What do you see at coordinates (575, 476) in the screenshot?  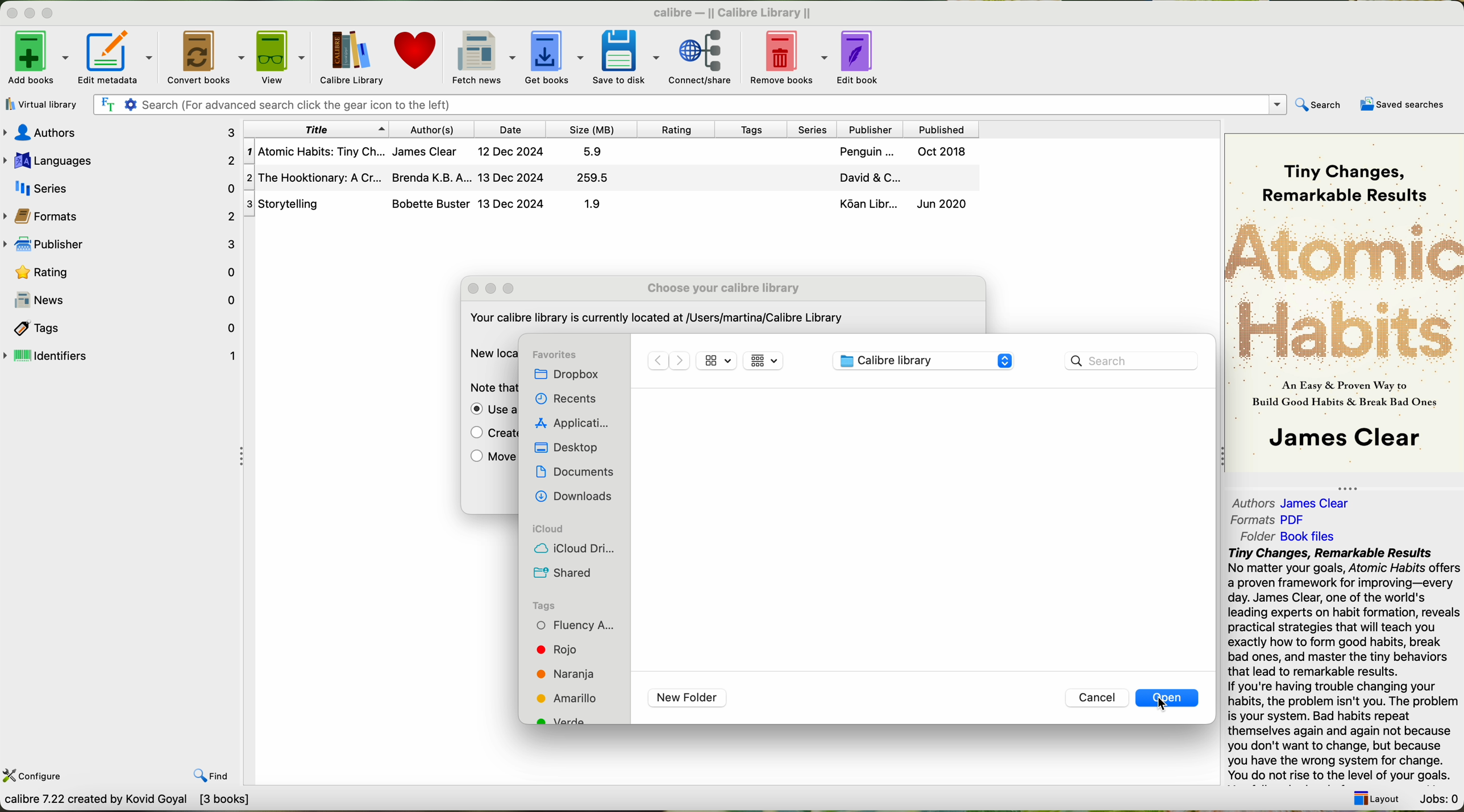 I see `documents` at bounding box center [575, 476].